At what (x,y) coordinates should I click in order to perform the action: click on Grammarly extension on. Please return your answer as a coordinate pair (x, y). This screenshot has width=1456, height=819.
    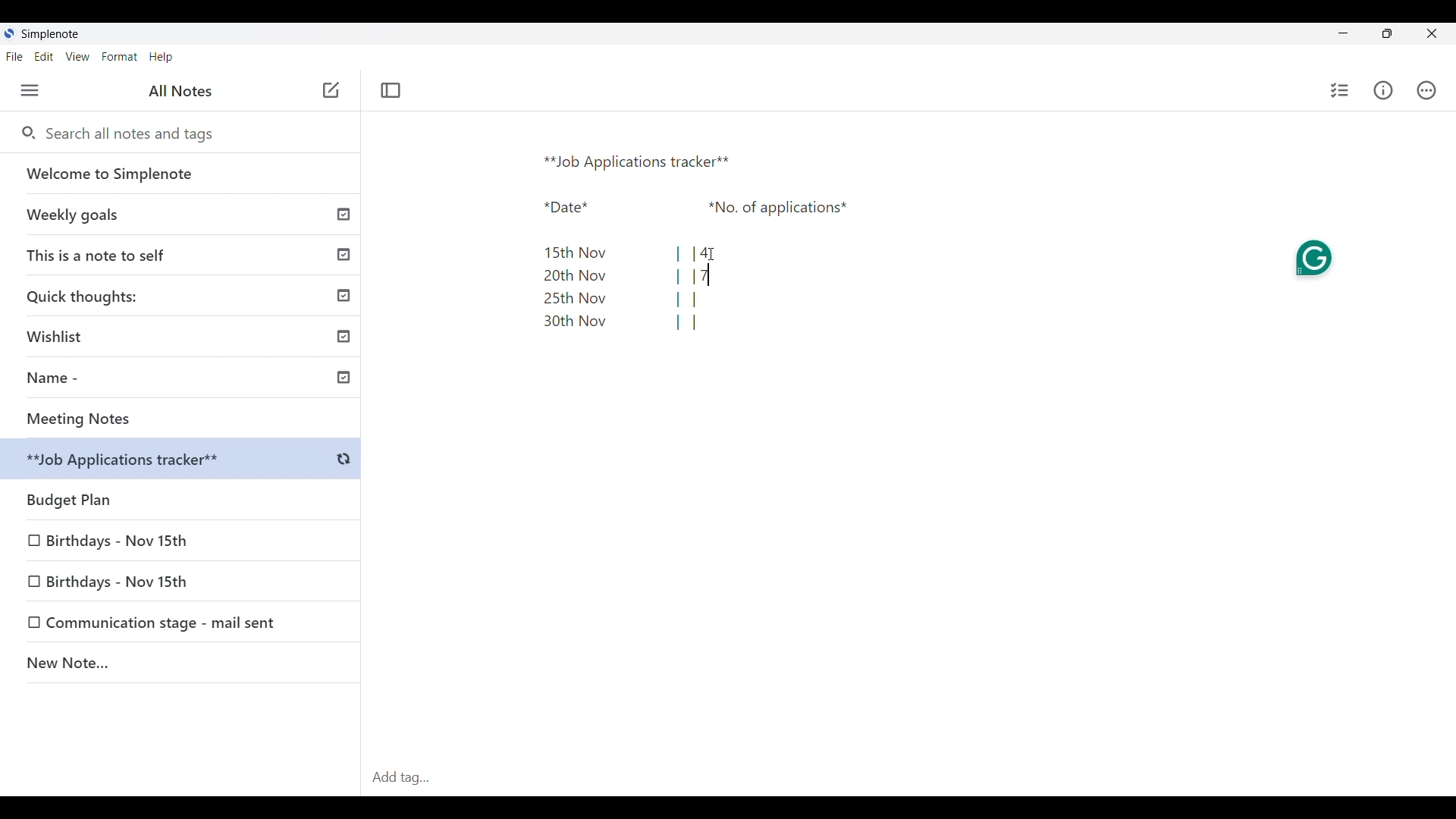
    Looking at the image, I should click on (1315, 256).